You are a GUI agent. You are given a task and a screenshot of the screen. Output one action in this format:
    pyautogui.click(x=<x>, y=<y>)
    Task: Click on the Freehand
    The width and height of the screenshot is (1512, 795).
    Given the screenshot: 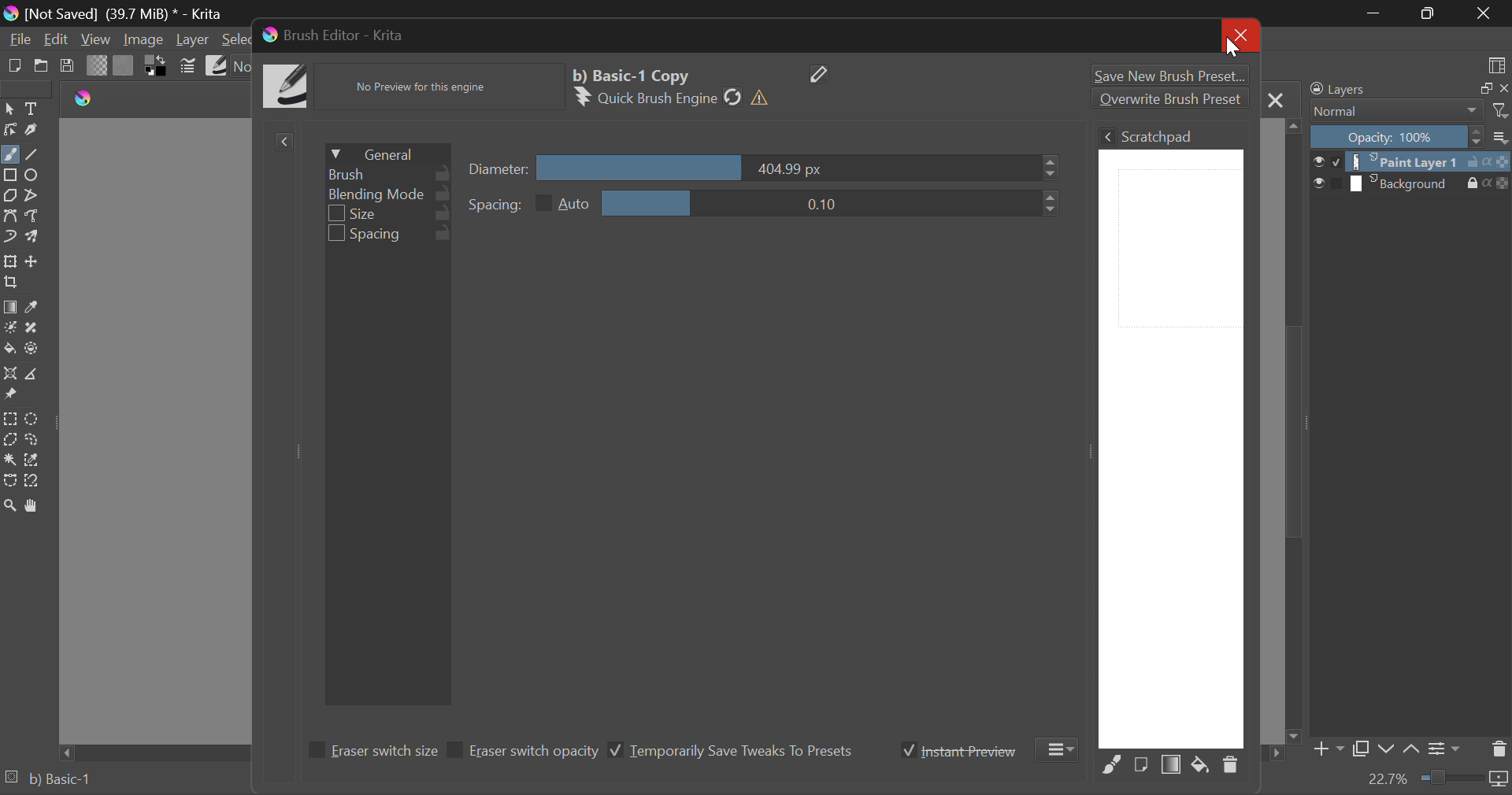 What is the action you would take?
    pyautogui.click(x=10, y=154)
    